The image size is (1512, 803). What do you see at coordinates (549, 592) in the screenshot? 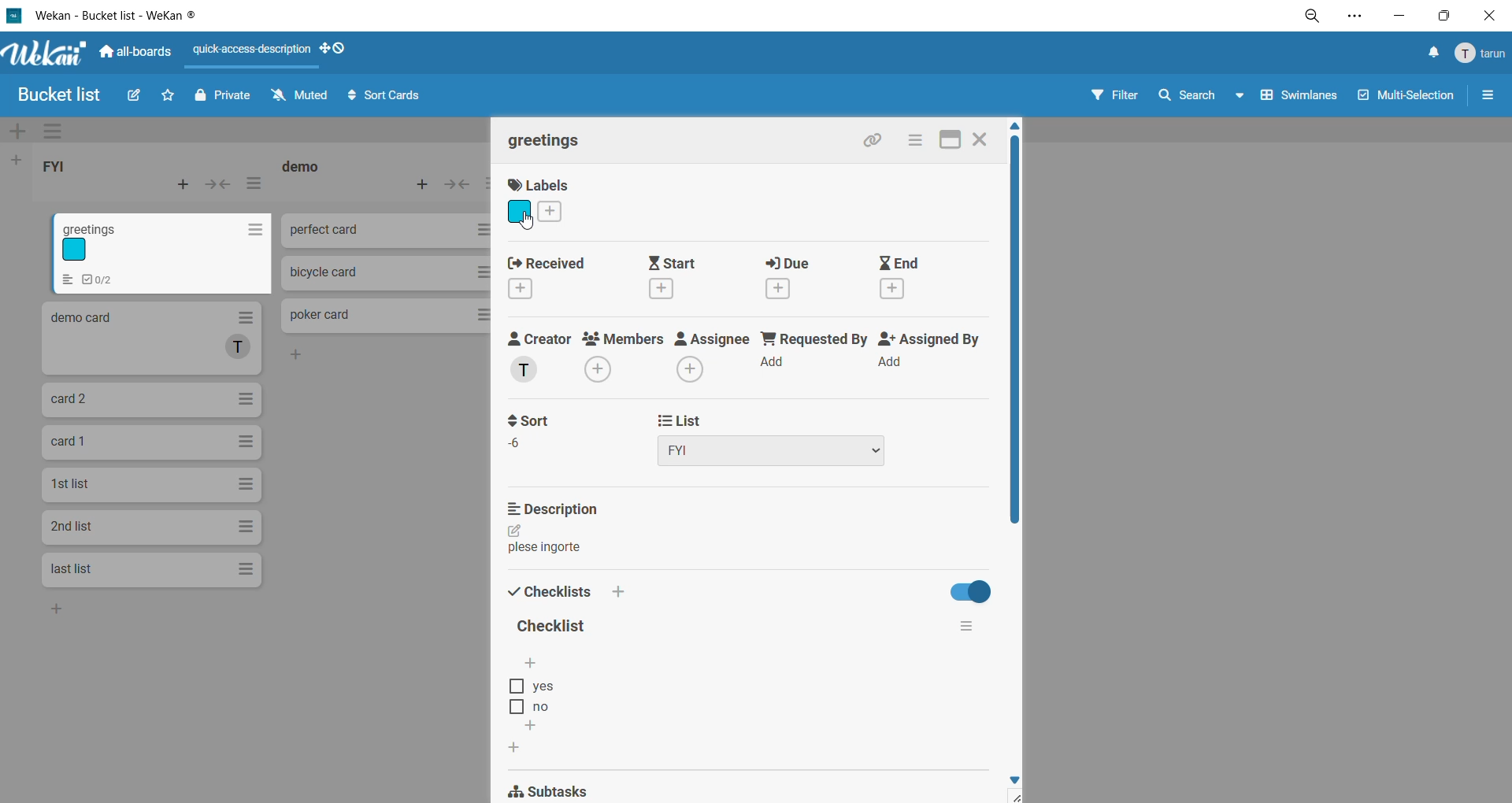
I see `checklist` at bounding box center [549, 592].